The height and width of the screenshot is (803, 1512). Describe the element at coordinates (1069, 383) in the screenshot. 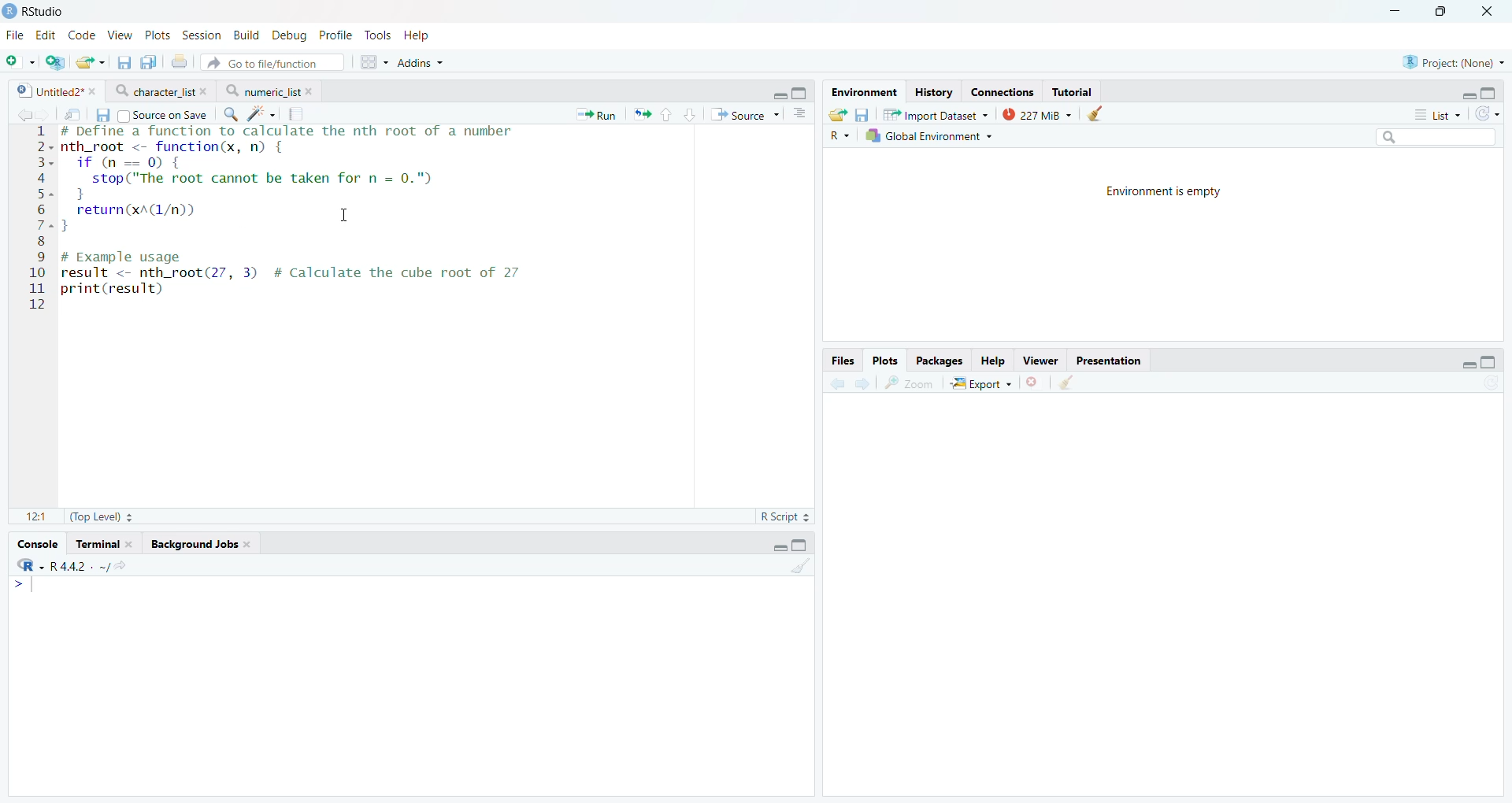

I see `Clear` at that location.